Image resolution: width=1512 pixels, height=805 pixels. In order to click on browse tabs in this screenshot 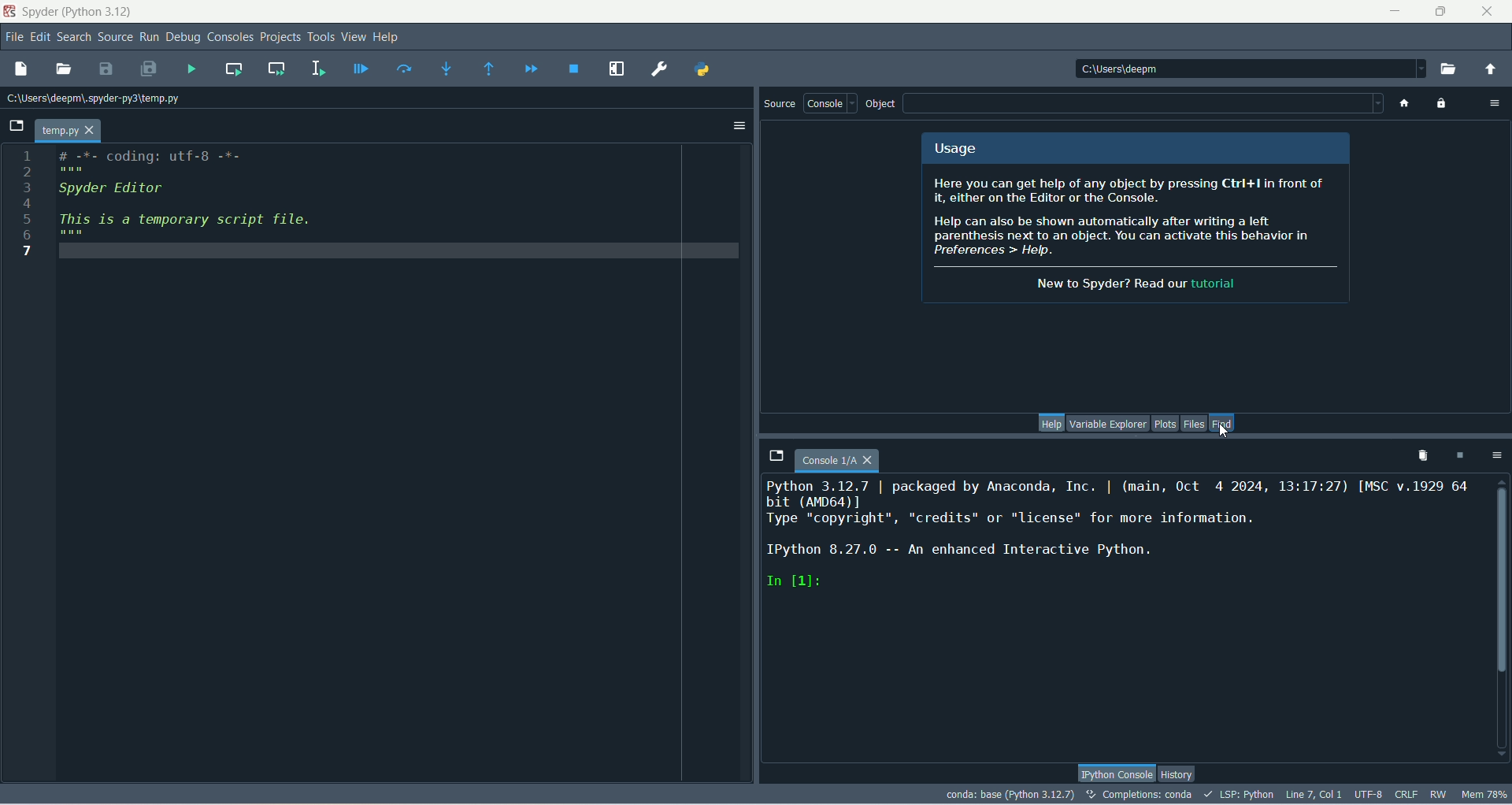, I will do `click(13, 126)`.